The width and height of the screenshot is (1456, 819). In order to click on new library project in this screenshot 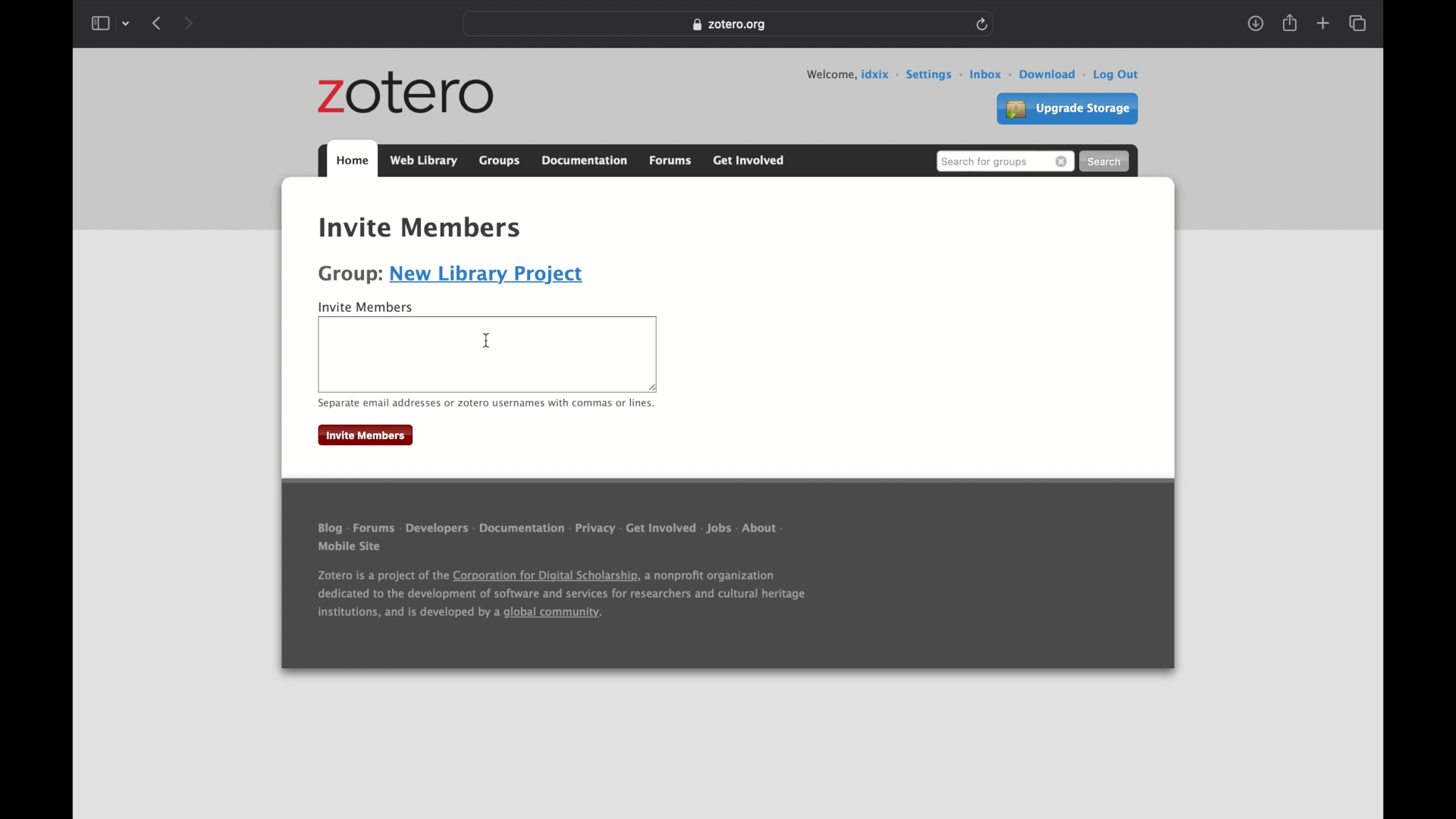, I will do `click(488, 274)`.